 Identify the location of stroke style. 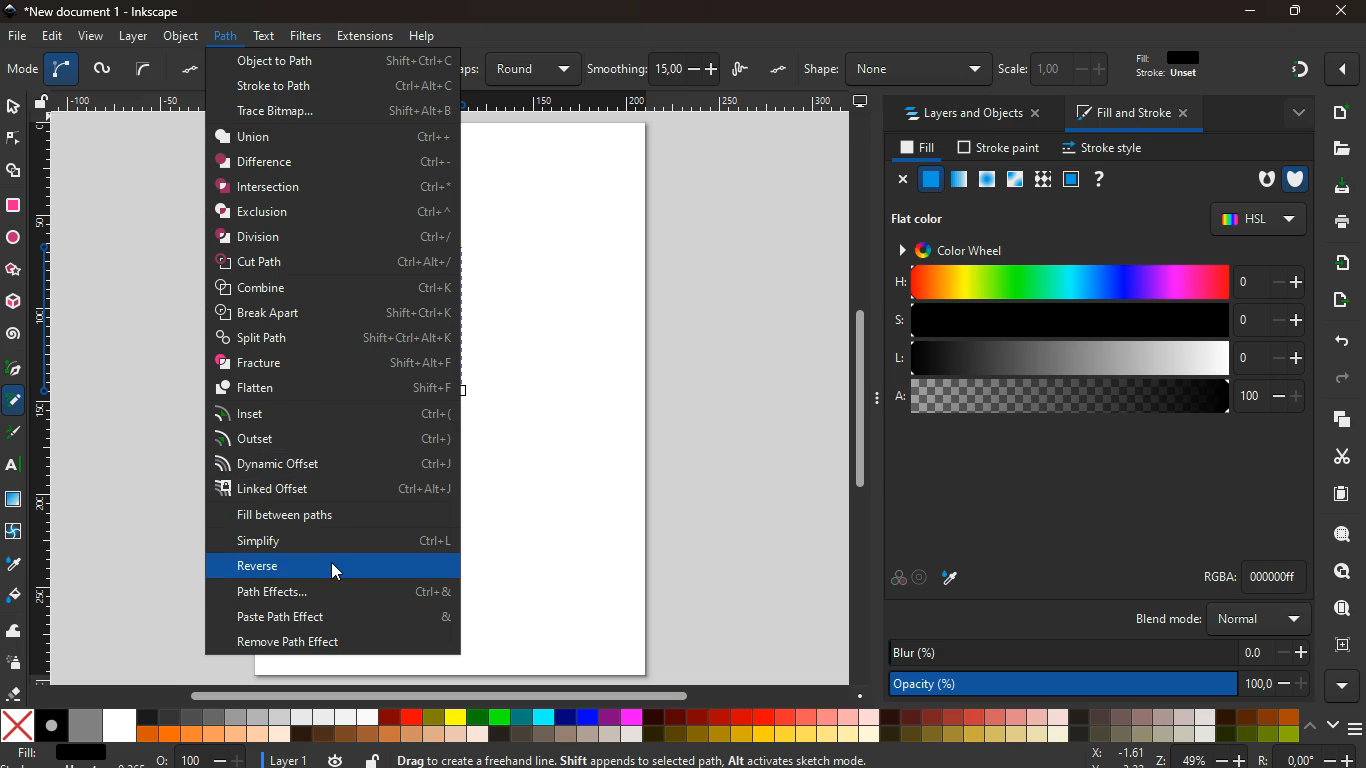
(1106, 149).